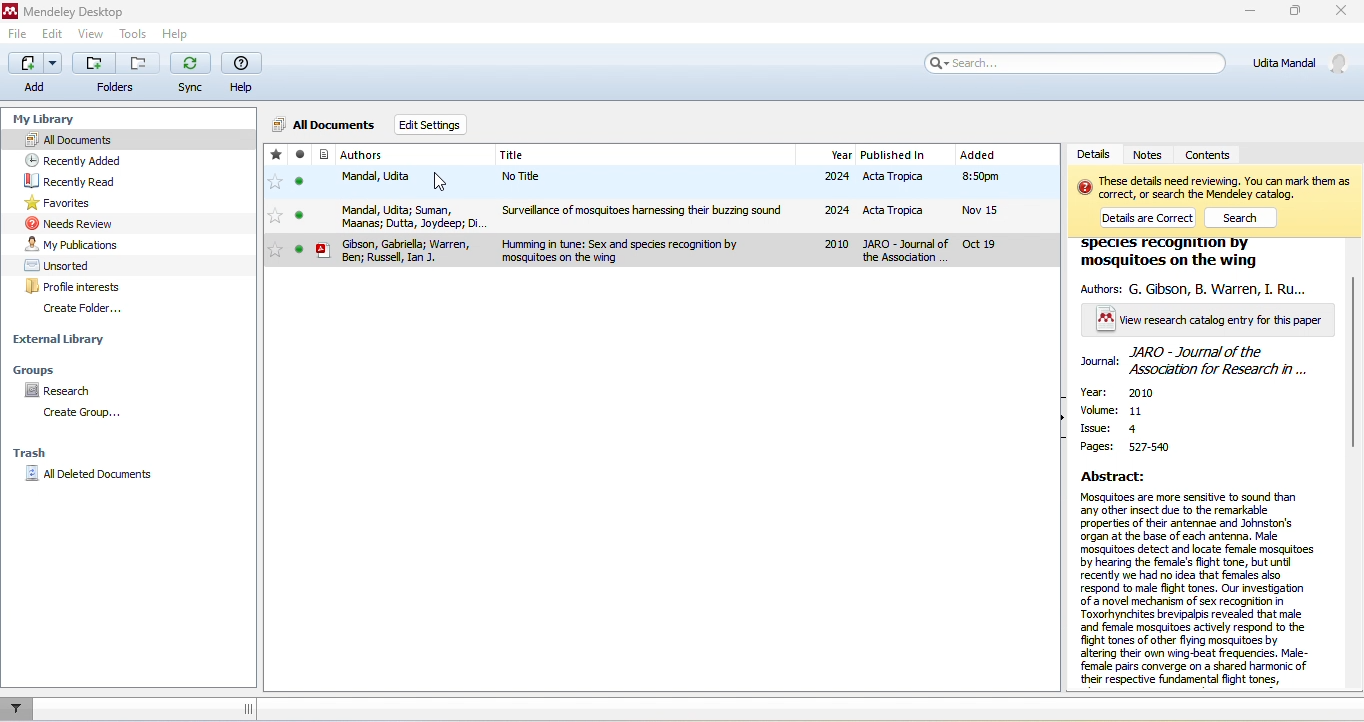  Describe the element at coordinates (75, 244) in the screenshot. I see `my publications` at that location.